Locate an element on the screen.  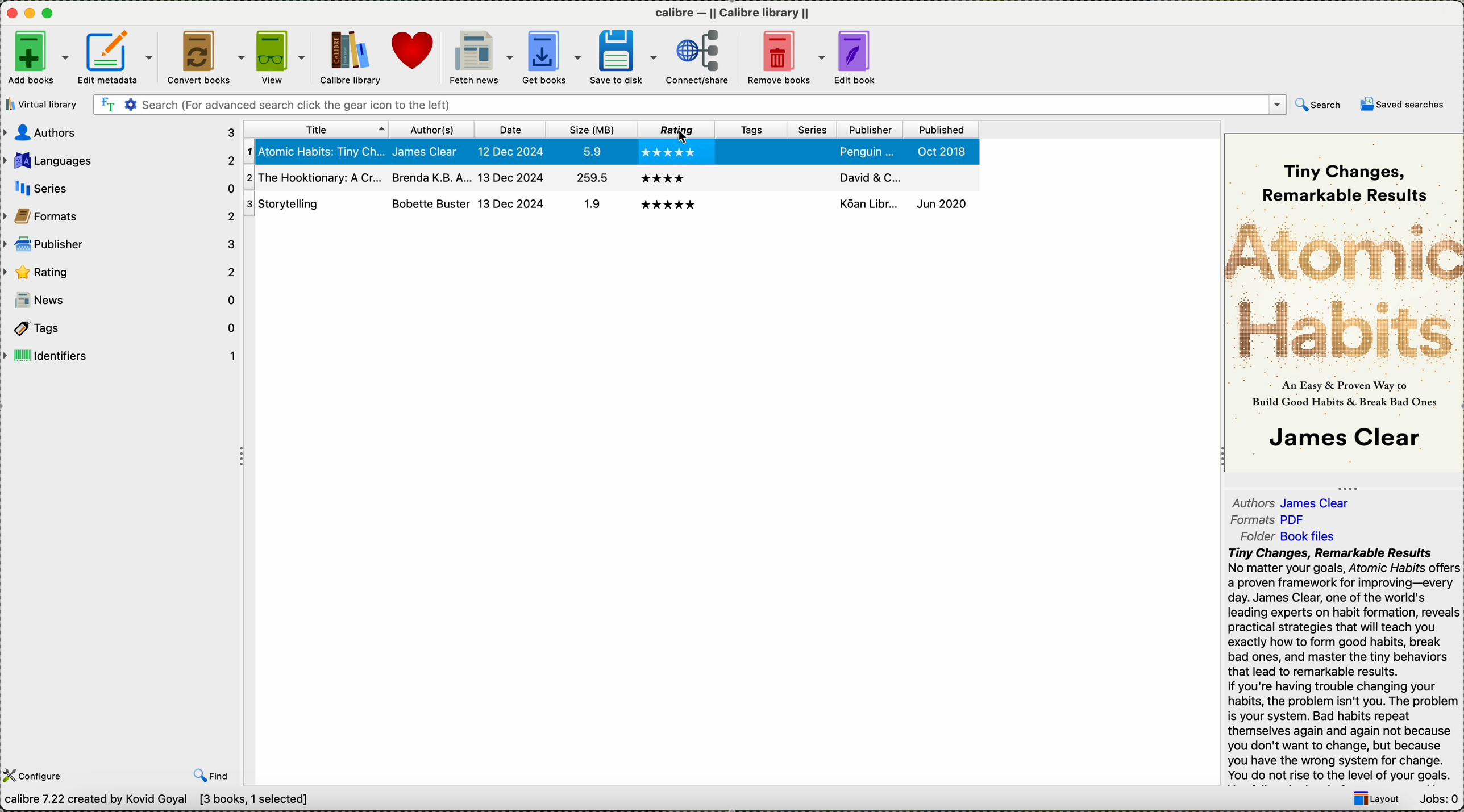
configure is located at coordinates (38, 774).